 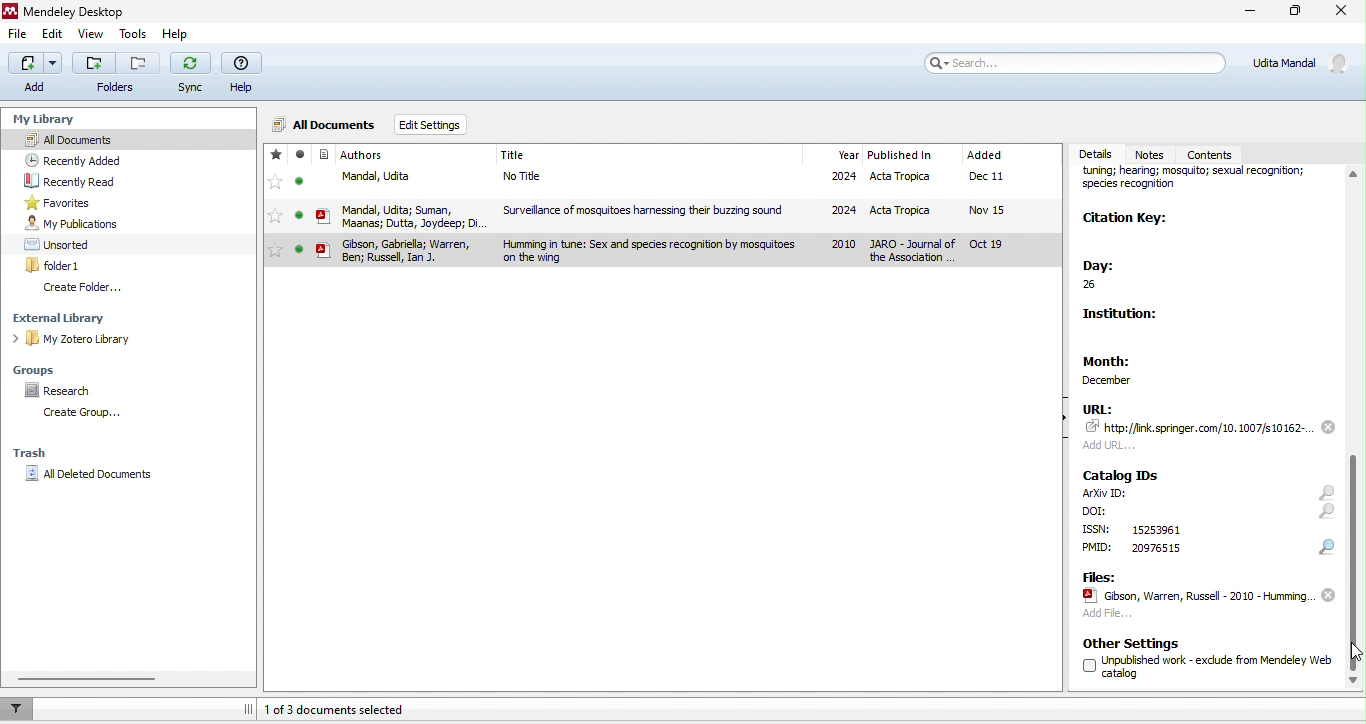 I want to click on filter, so click(x=20, y=708).